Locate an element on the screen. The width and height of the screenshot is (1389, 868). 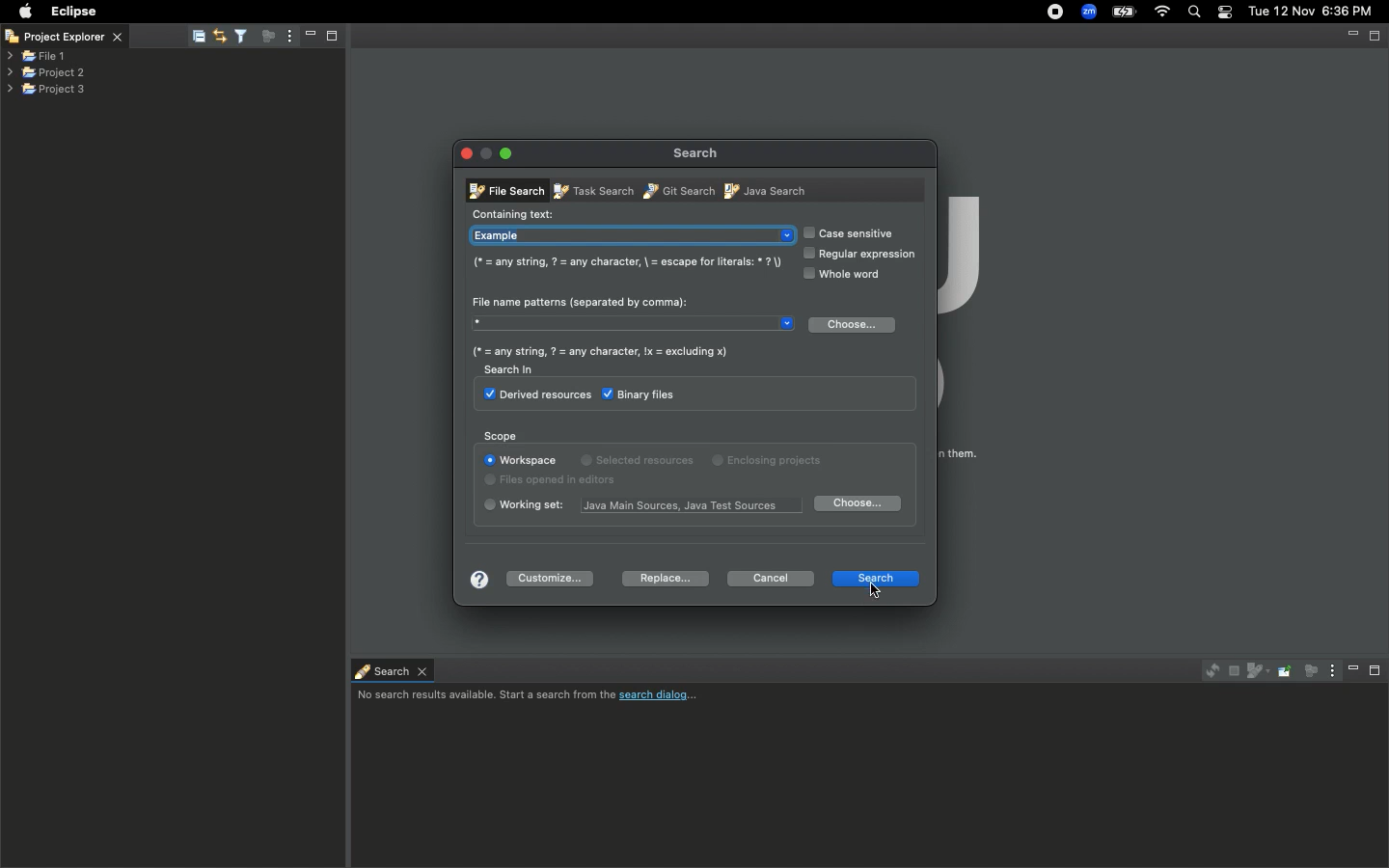
Customize is located at coordinates (549, 578).